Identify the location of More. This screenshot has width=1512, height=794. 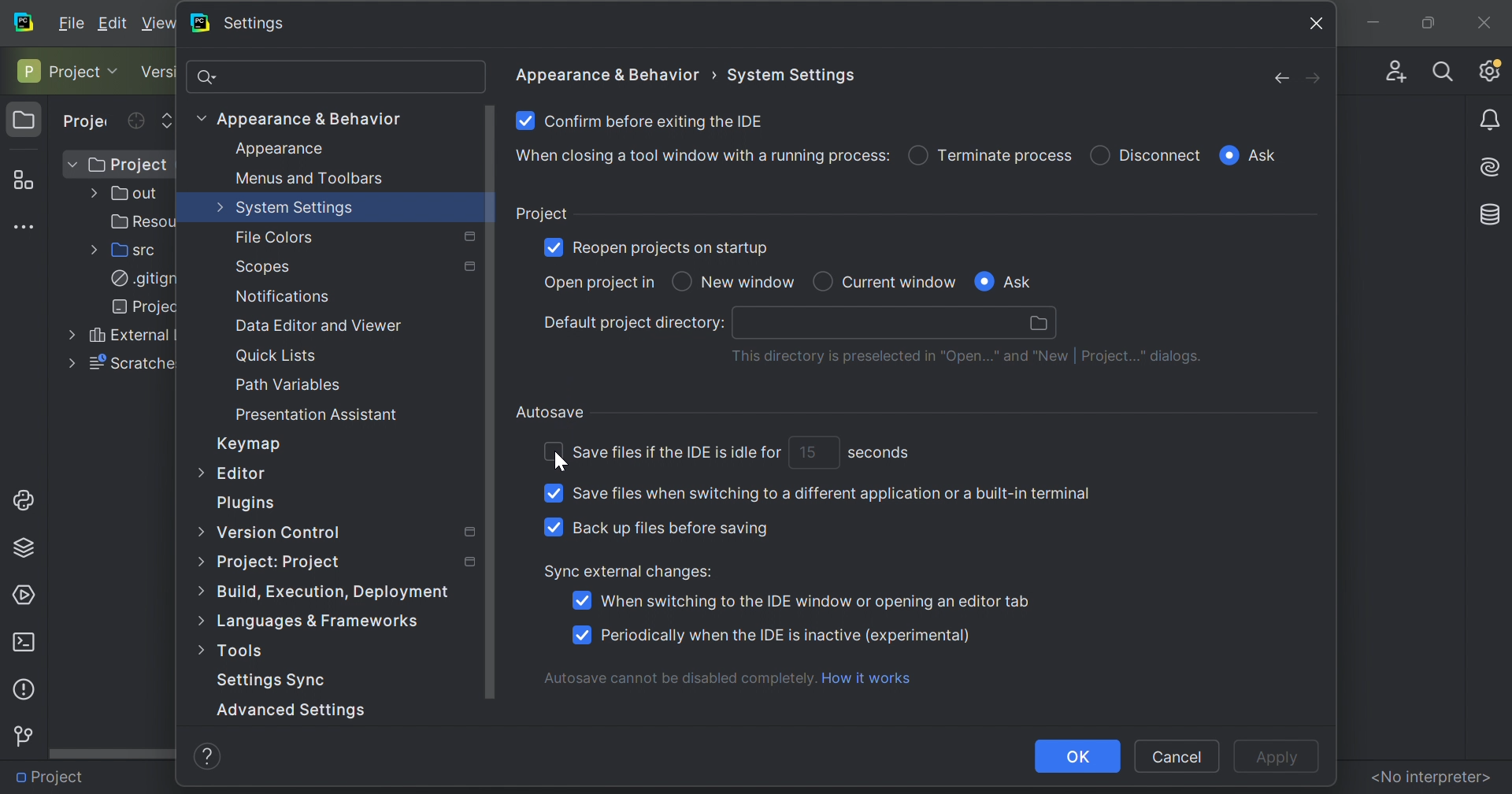
(67, 336).